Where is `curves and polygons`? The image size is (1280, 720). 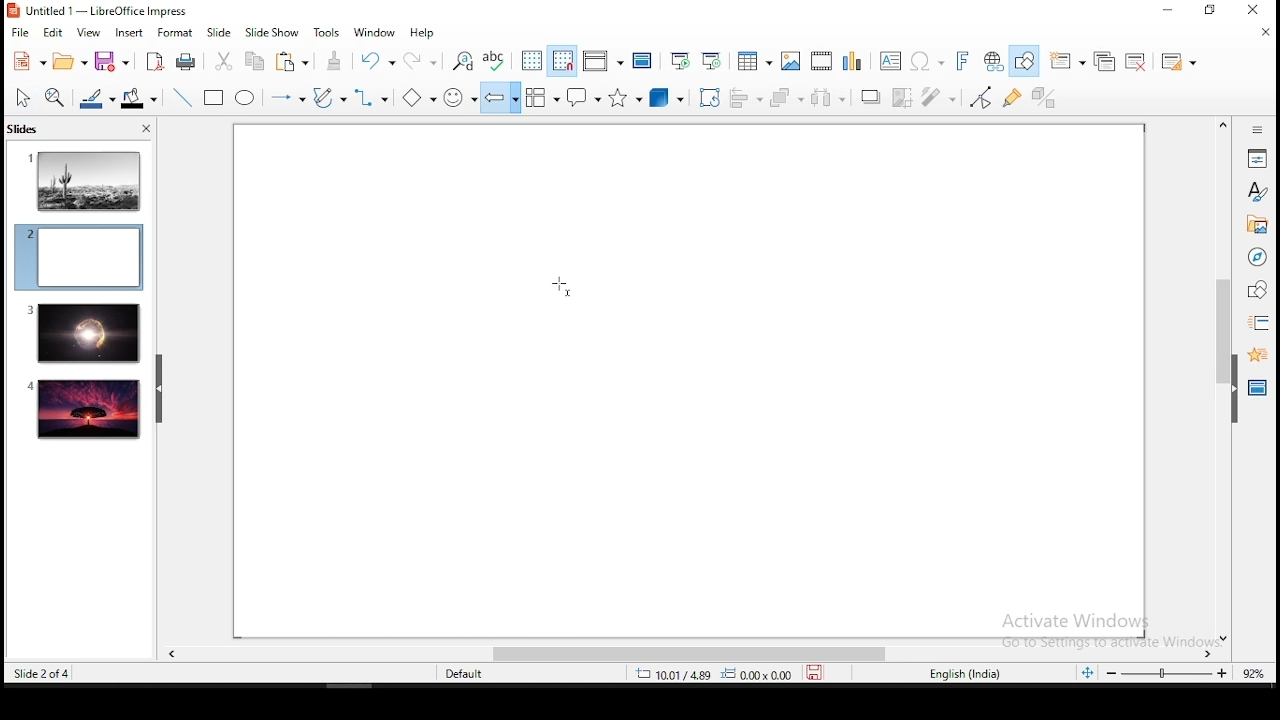 curves and polygons is located at coordinates (328, 98).